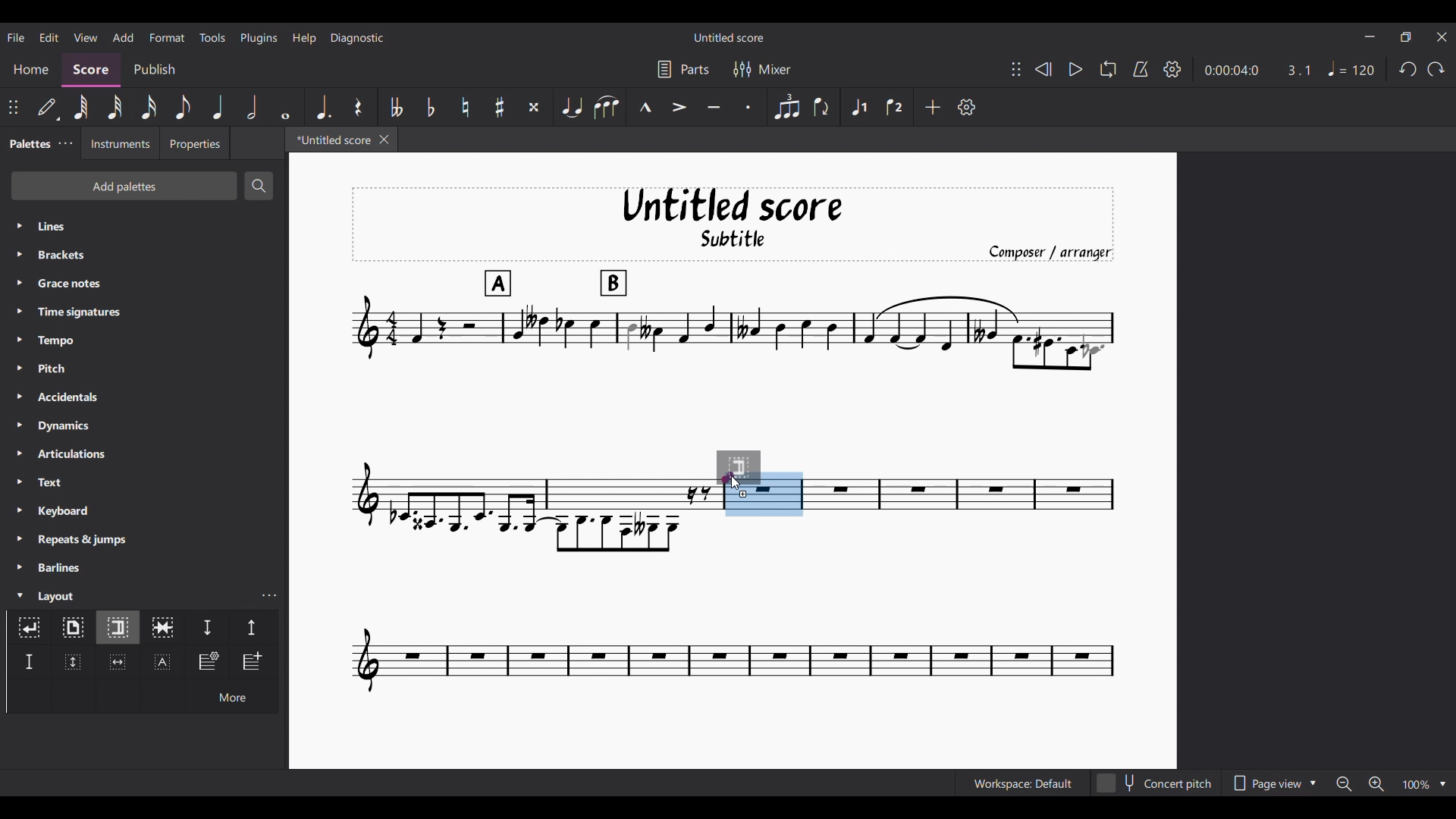 The image size is (1456, 819). What do you see at coordinates (822, 106) in the screenshot?
I see `Flip direction` at bounding box center [822, 106].